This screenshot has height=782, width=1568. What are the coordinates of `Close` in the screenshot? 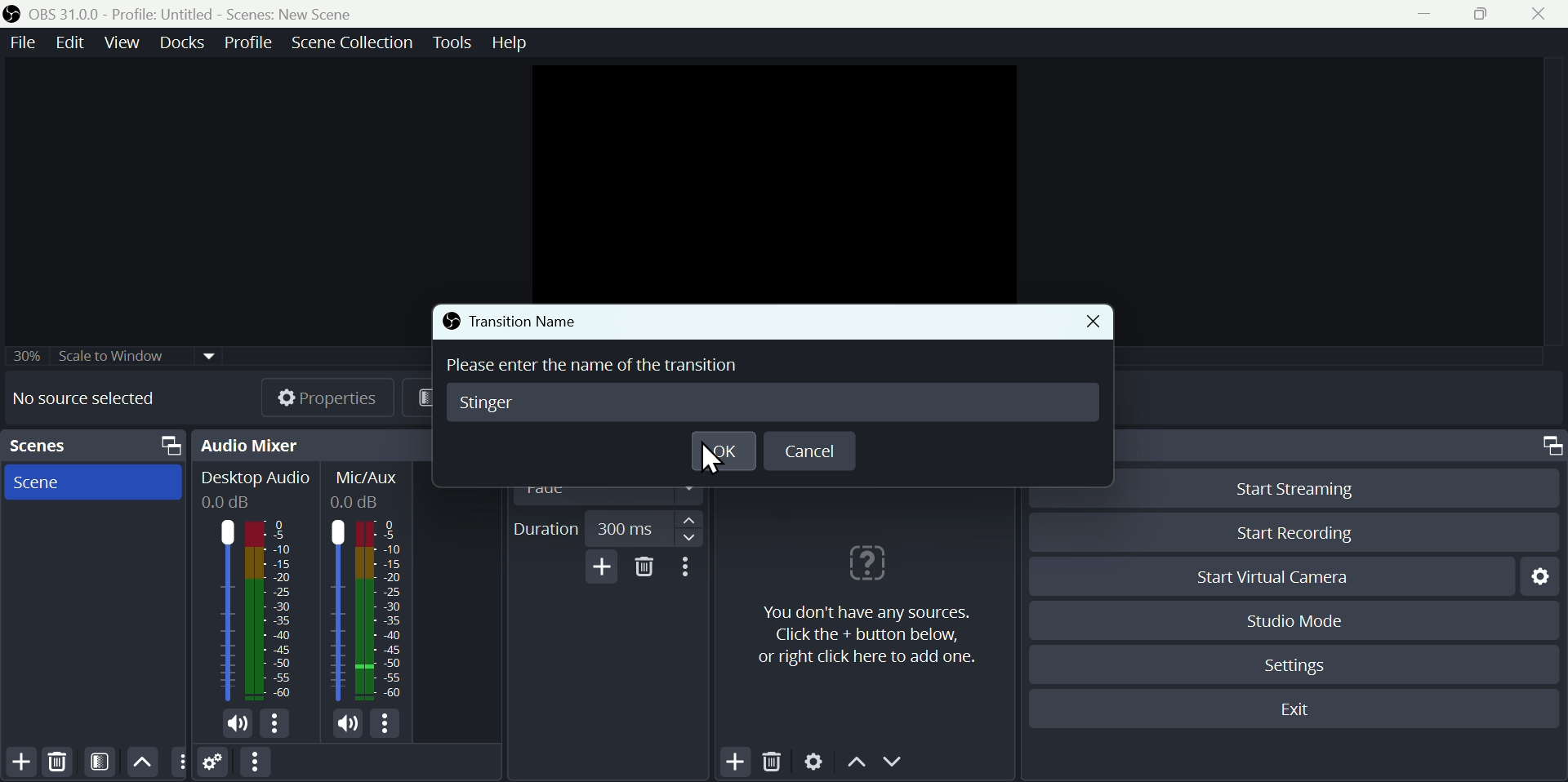 It's located at (1098, 320).